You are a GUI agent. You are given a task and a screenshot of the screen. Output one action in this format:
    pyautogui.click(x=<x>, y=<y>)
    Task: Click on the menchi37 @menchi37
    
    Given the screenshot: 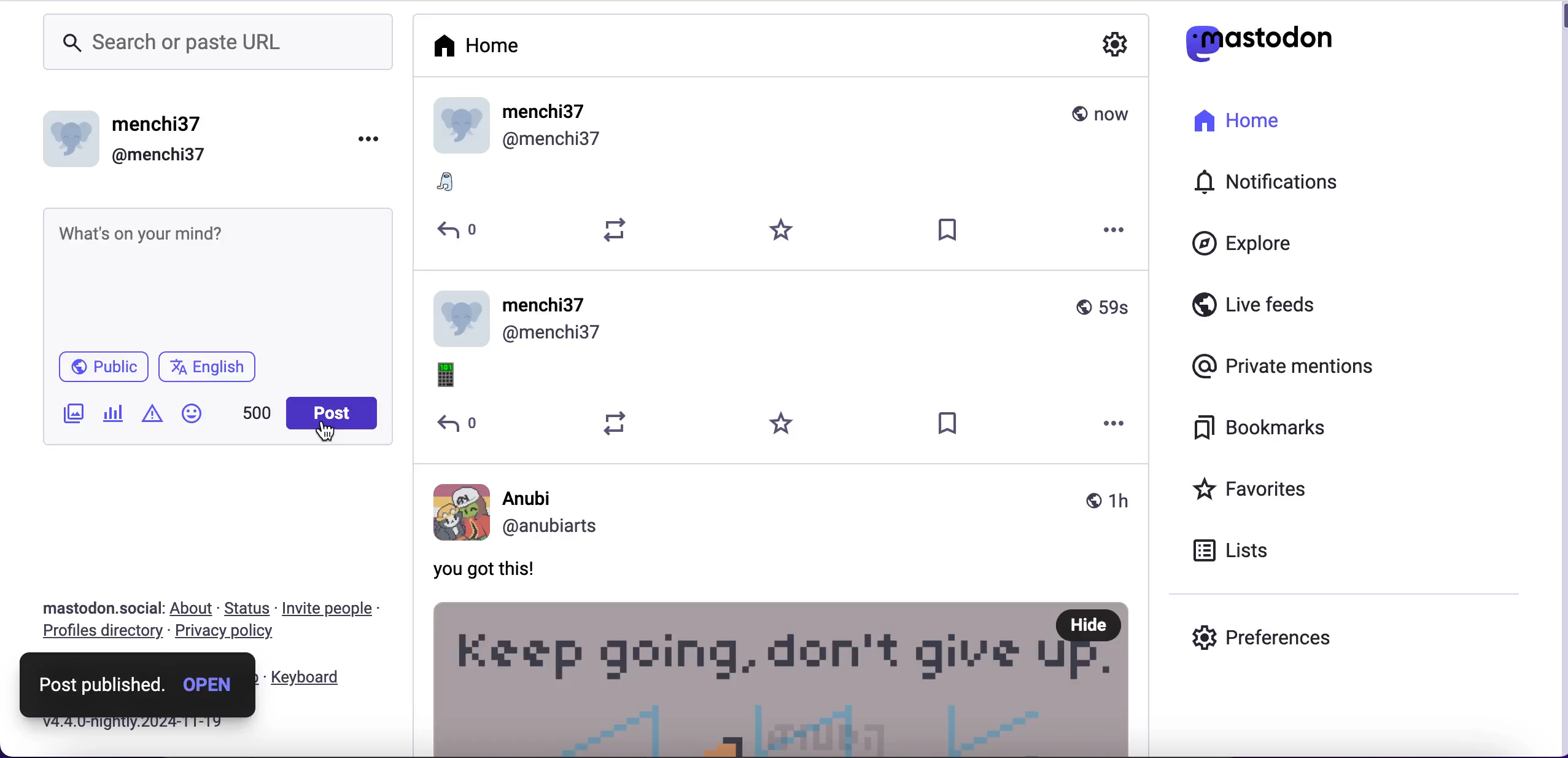 What is the action you would take?
    pyautogui.click(x=782, y=127)
    